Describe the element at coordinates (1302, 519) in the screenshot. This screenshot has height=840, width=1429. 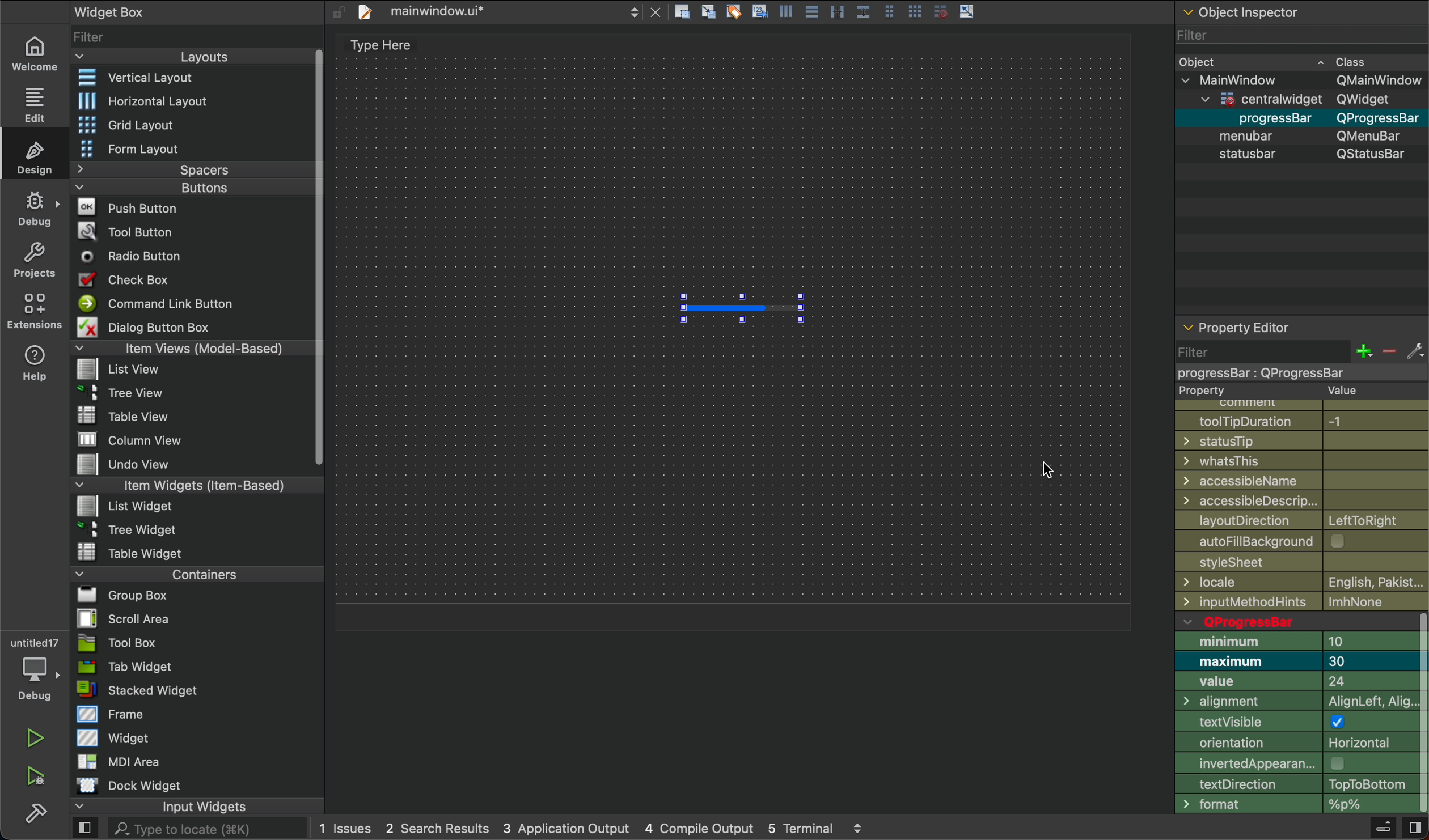
I see `layoutDirection` at that location.